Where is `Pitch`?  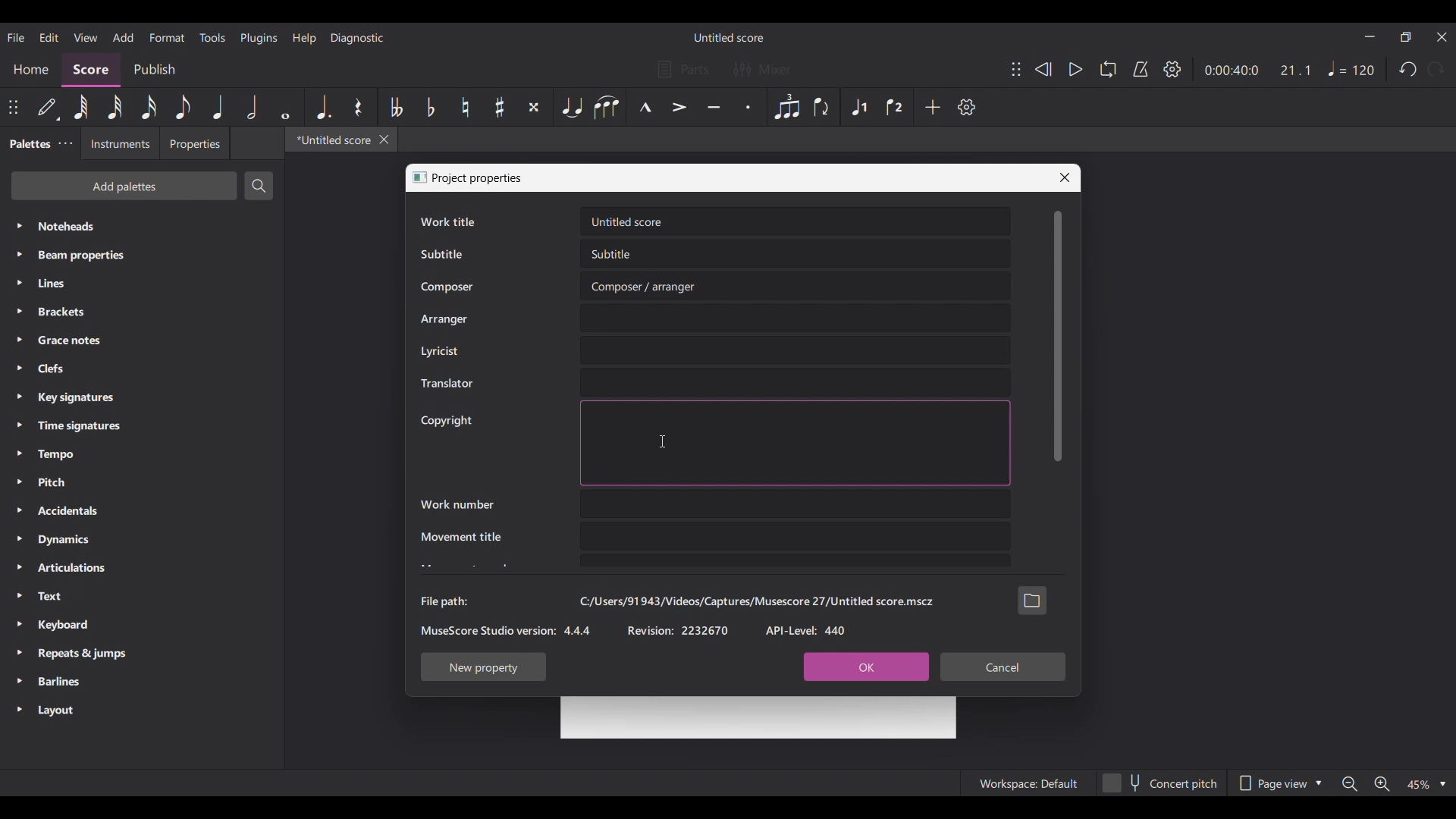 Pitch is located at coordinates (143, 482).